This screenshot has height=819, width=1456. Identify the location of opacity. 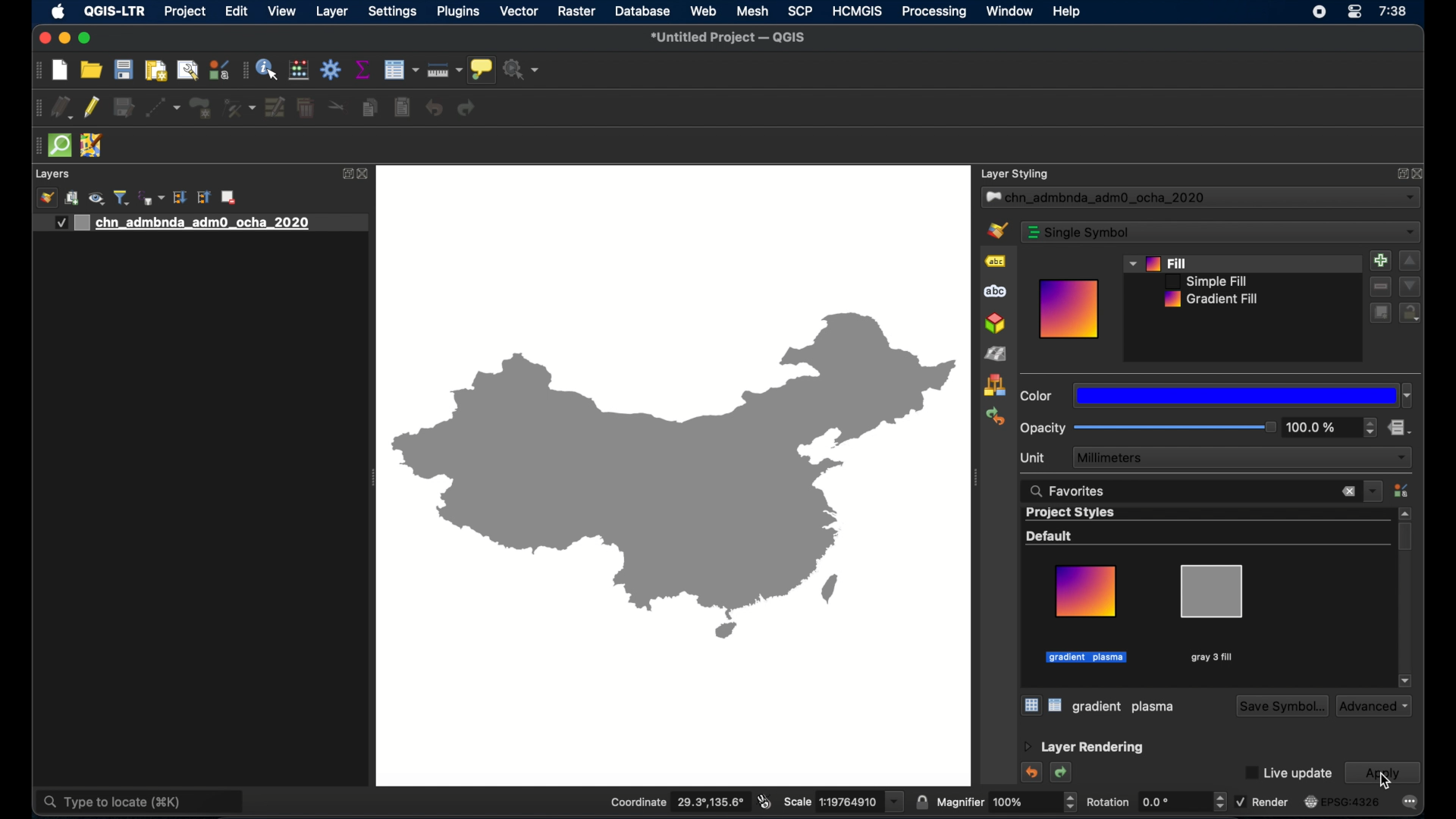
(1043, 428).